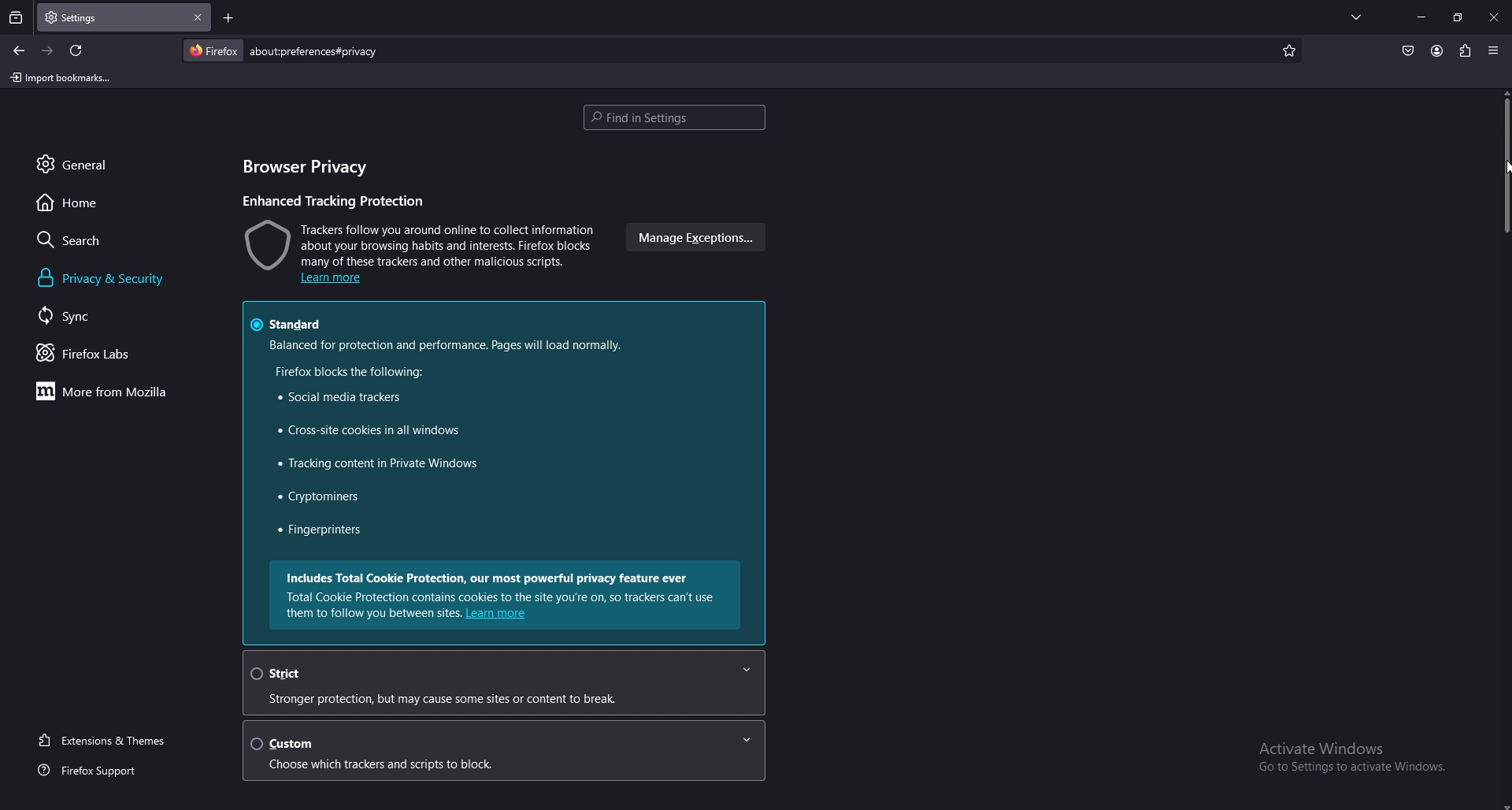  I want to click on add tab, so click(227, 17).